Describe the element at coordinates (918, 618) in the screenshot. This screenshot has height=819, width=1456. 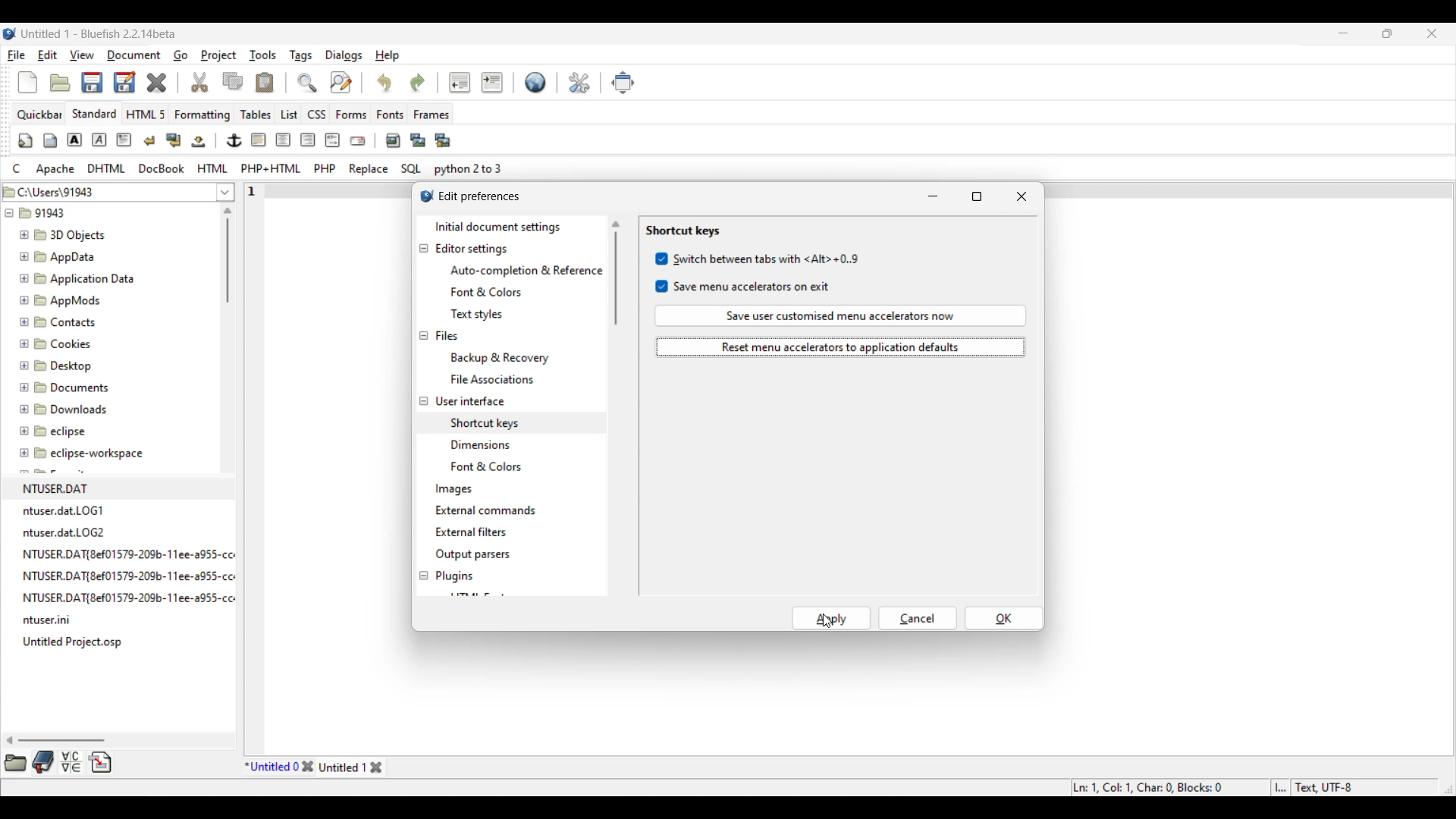
I see `Cancel` at that location.